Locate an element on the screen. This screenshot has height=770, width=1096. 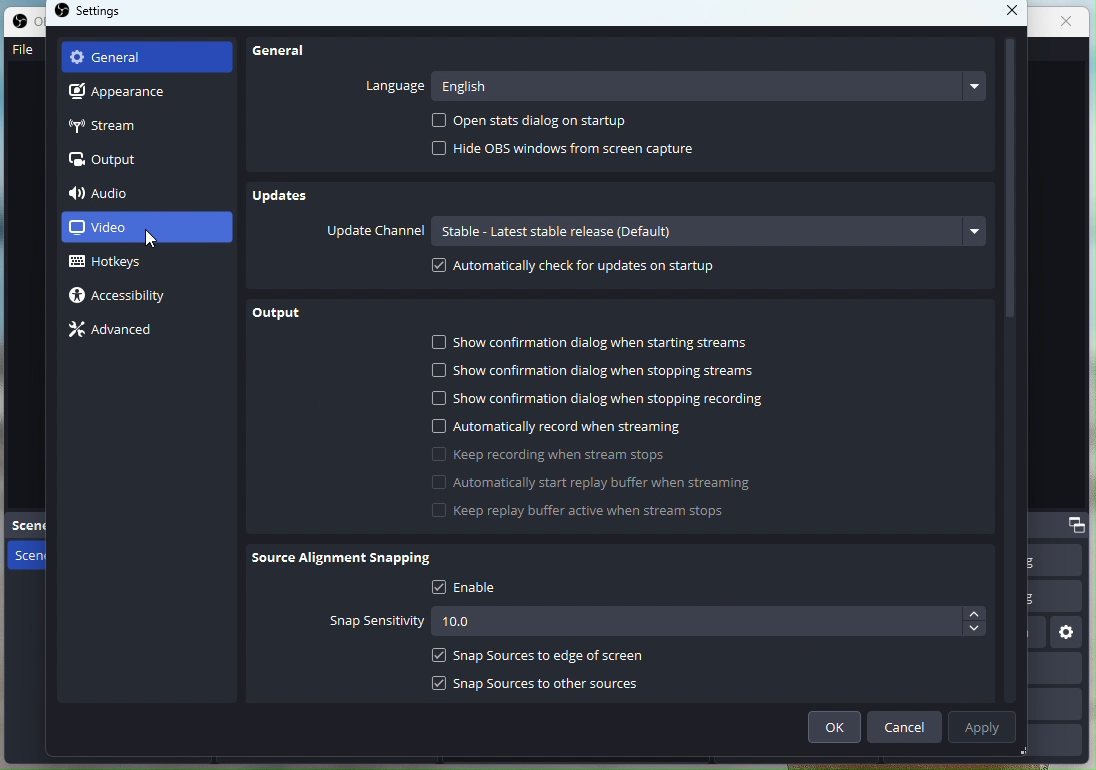
Show confirmation dialog when starting streams is located at coordinates (591, 345).